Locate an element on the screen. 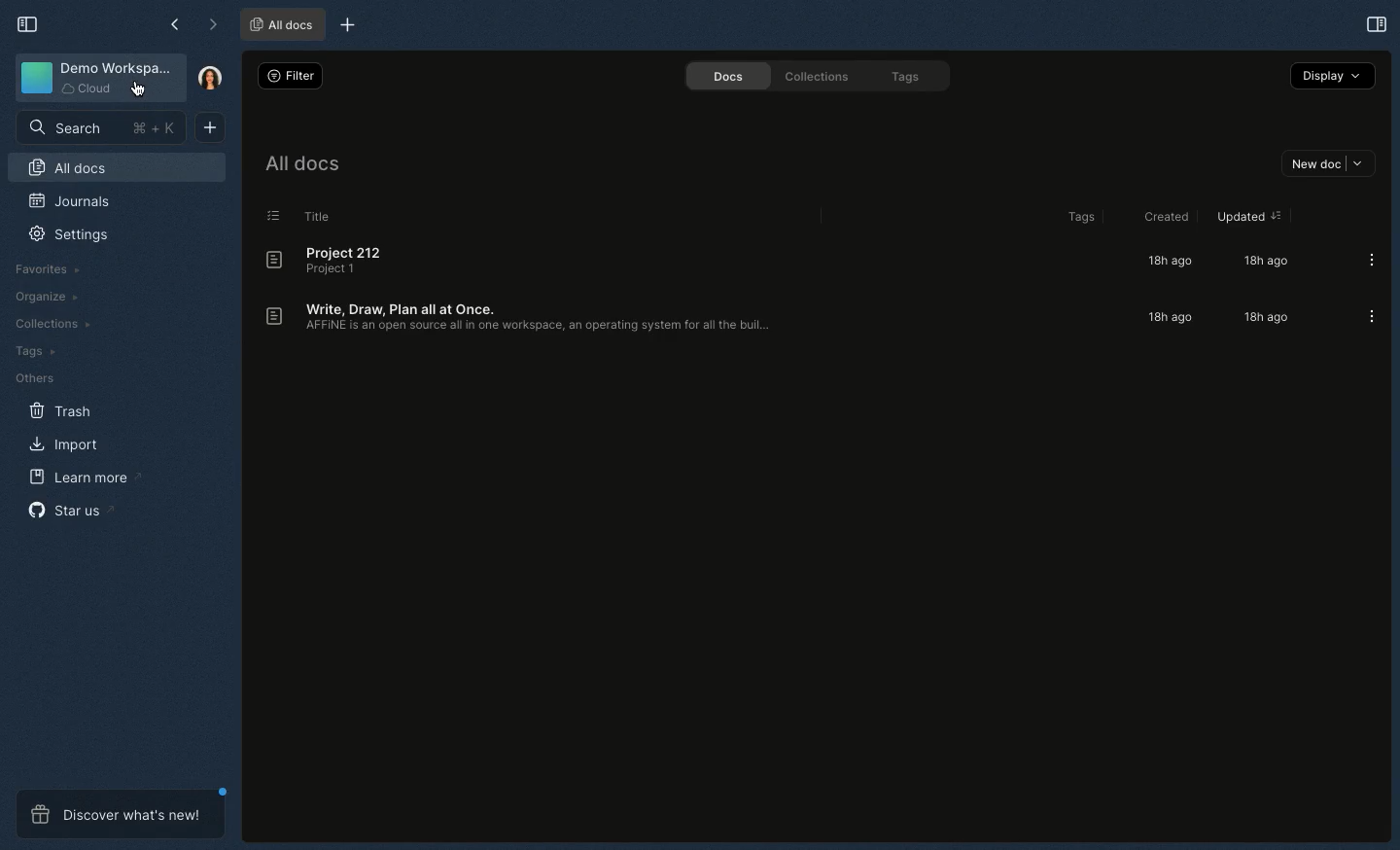 Image resolution: width=1400 pixels, height=850 pixels. 18h ago is located at coordinates (1167, 319).